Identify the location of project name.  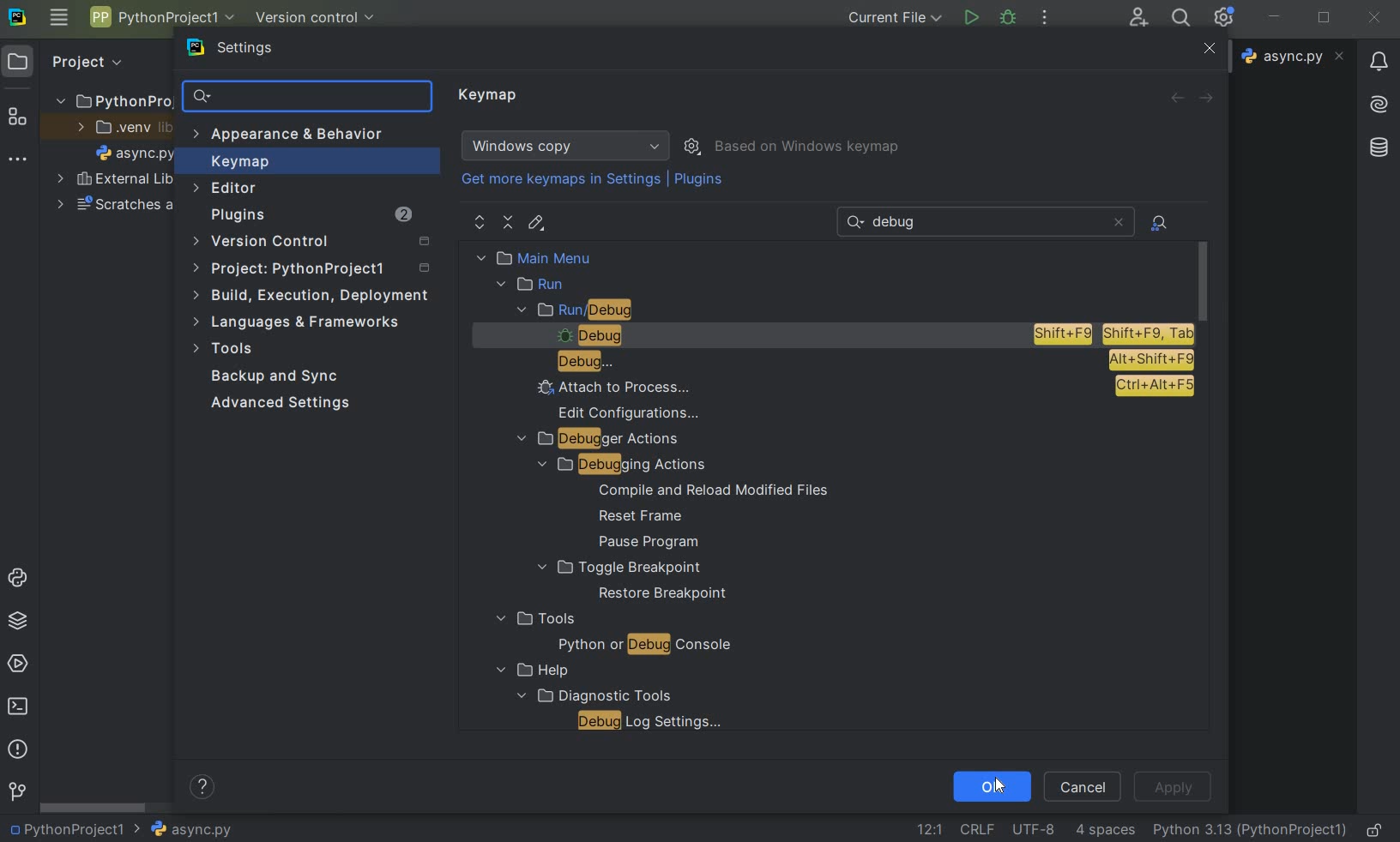
(64, 829).